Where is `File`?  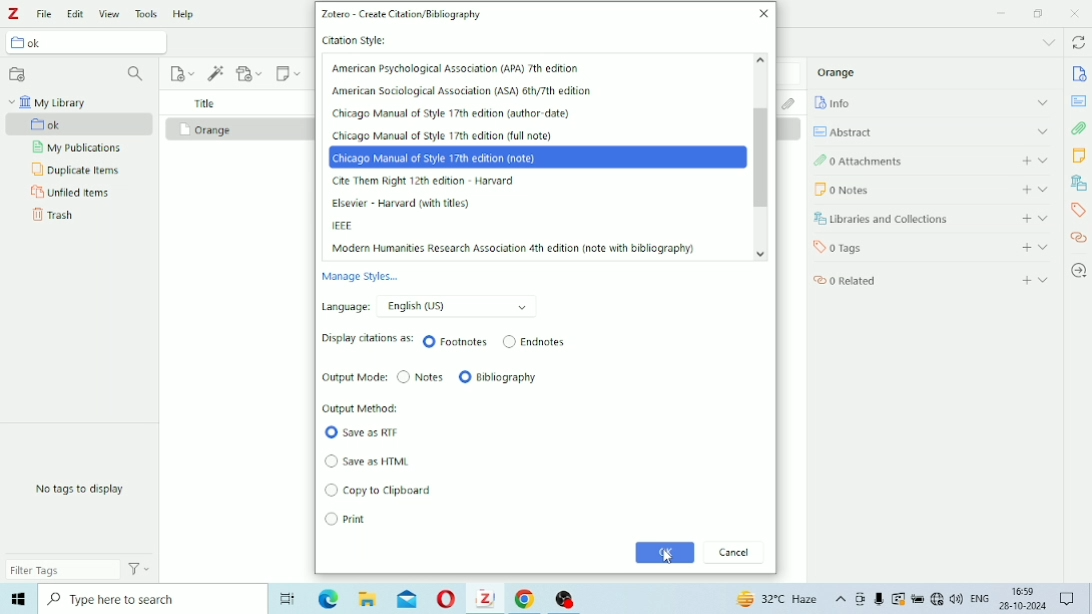 File is located at coordinates (45, 14).